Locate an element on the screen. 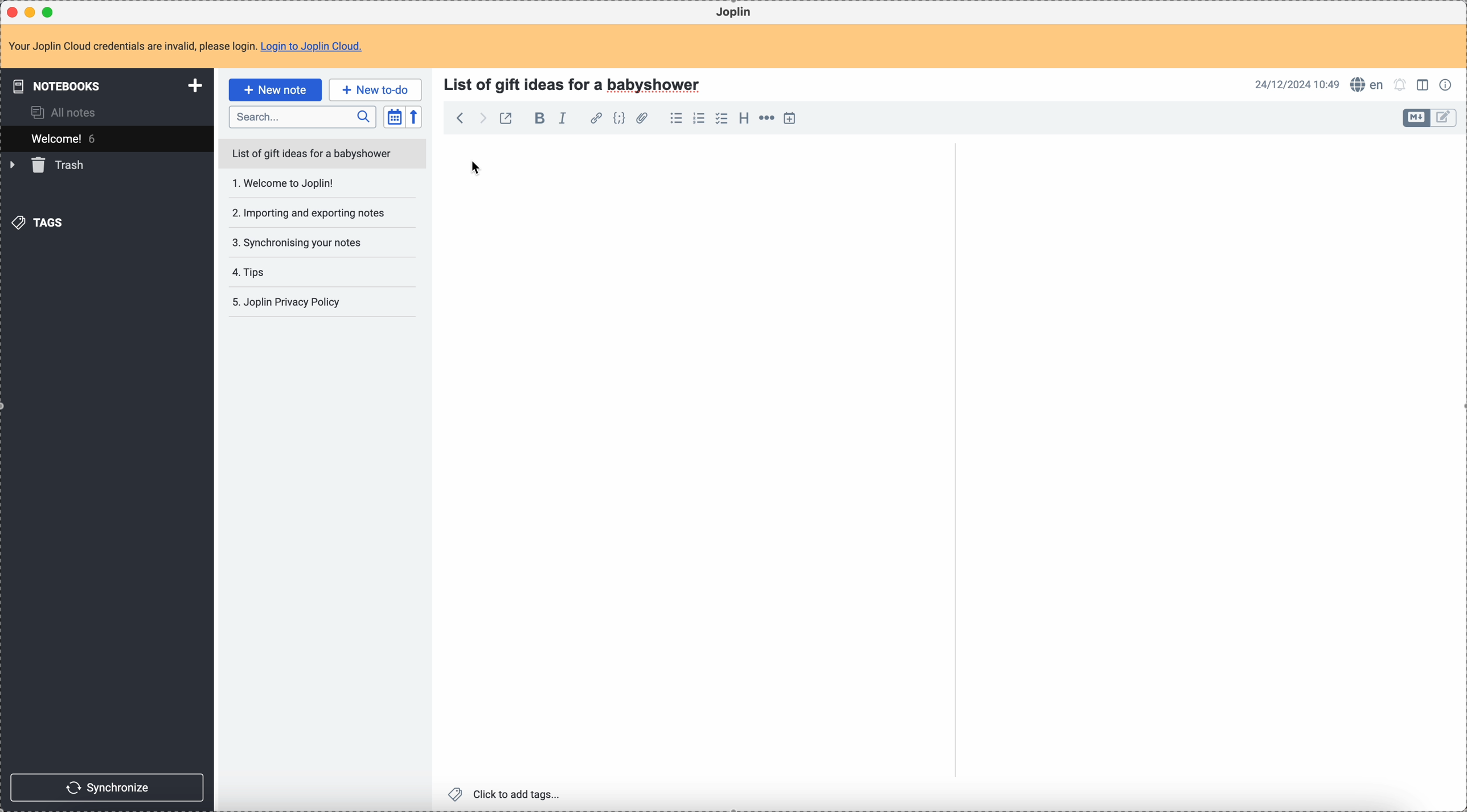 The width and height of the screenshot is (1467, 812). close Joplin is located at coordinates (11, 12).